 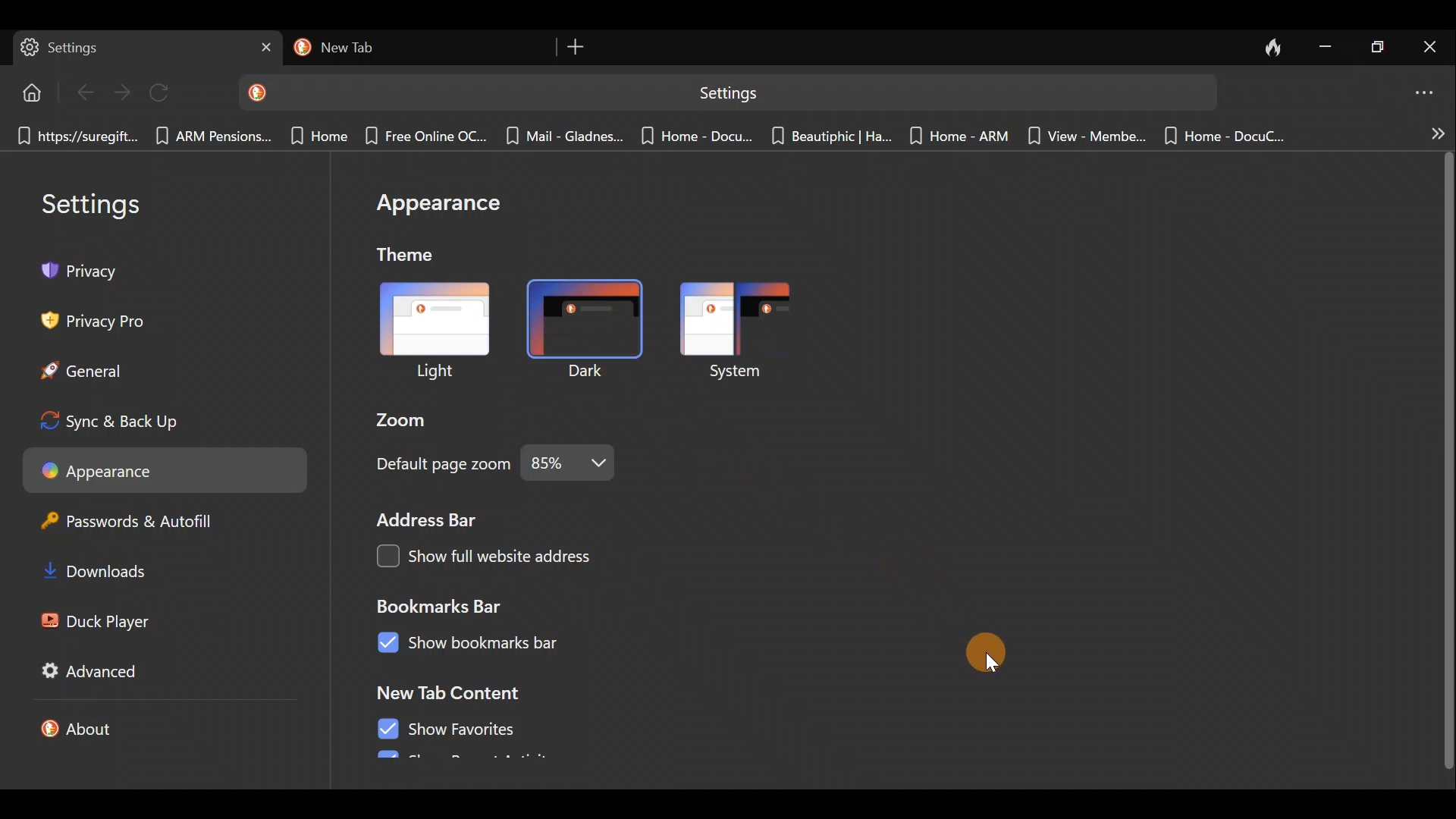 I want to click on Cursor, so click(x=987, y=653).